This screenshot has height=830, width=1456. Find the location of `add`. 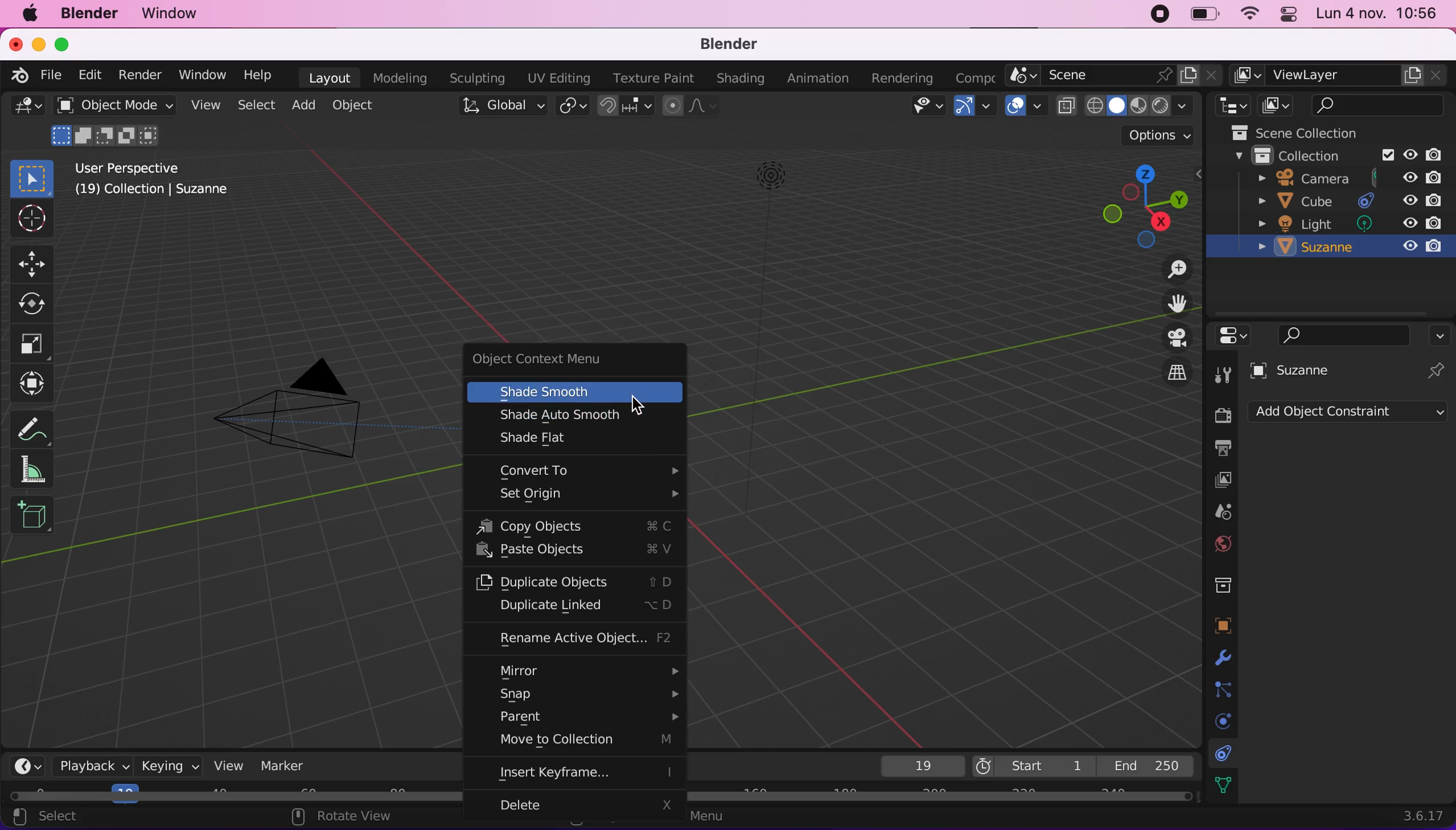

add is located at coordinates (303, 104).